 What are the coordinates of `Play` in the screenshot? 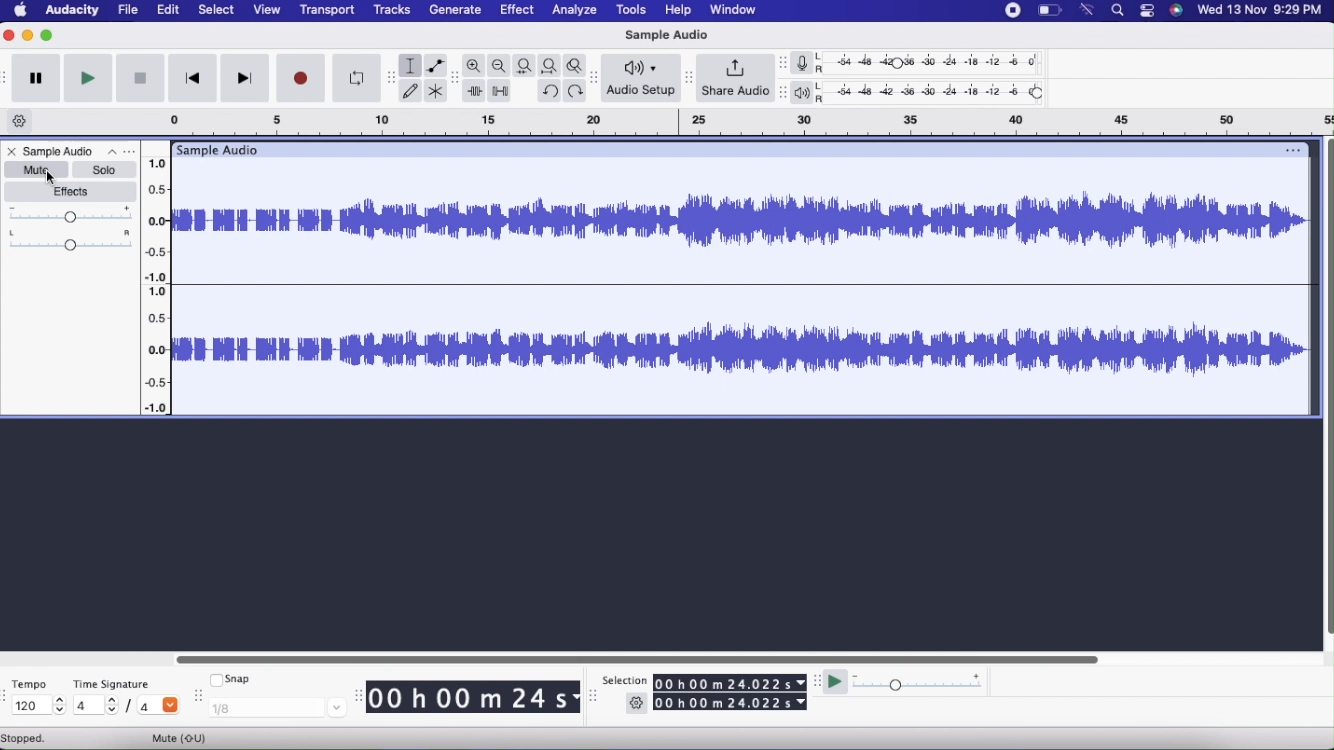 It's located at (837, 680).